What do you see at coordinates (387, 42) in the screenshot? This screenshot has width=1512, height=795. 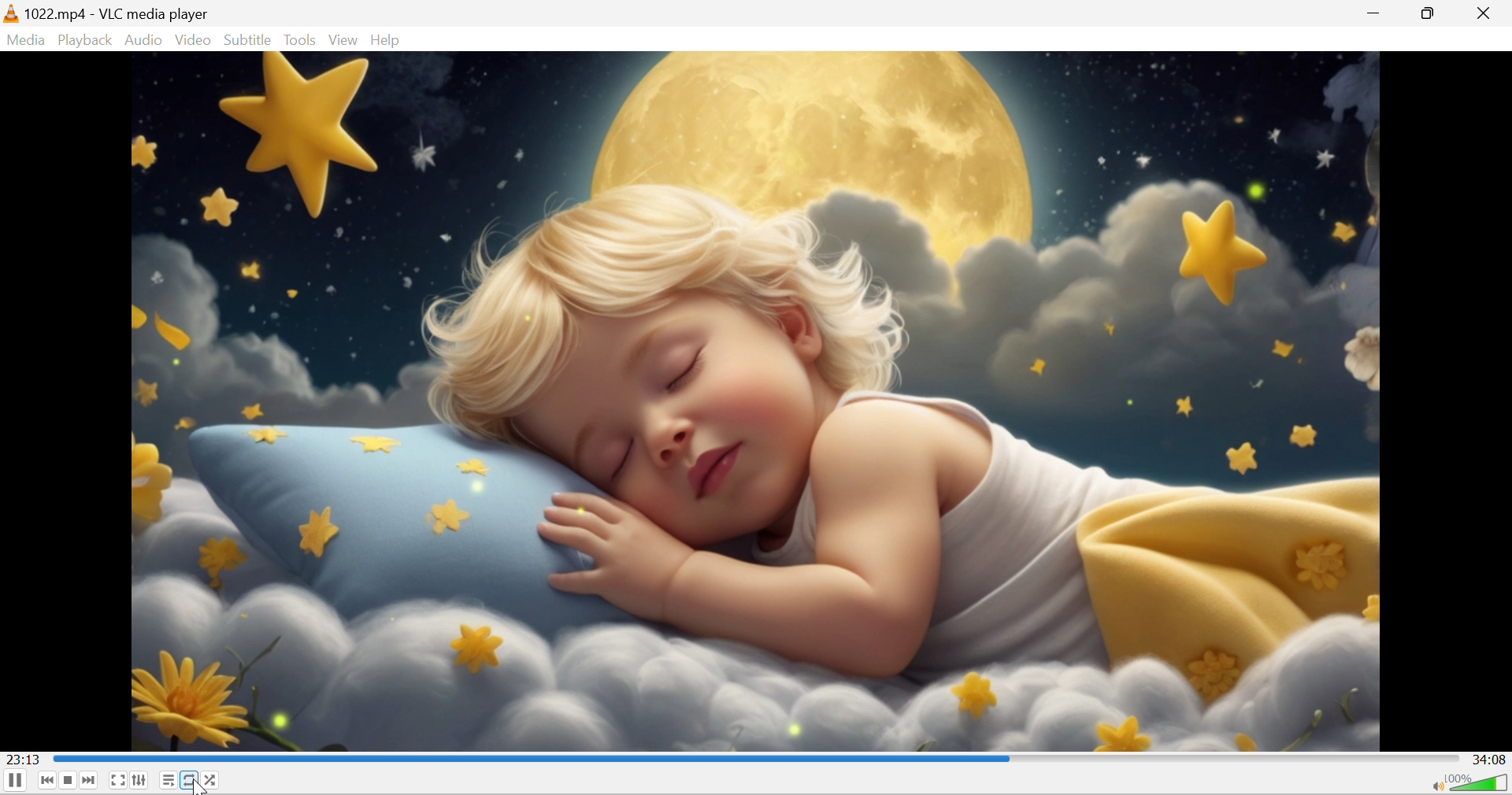 I see `Help` at bounding box center [387, 42].